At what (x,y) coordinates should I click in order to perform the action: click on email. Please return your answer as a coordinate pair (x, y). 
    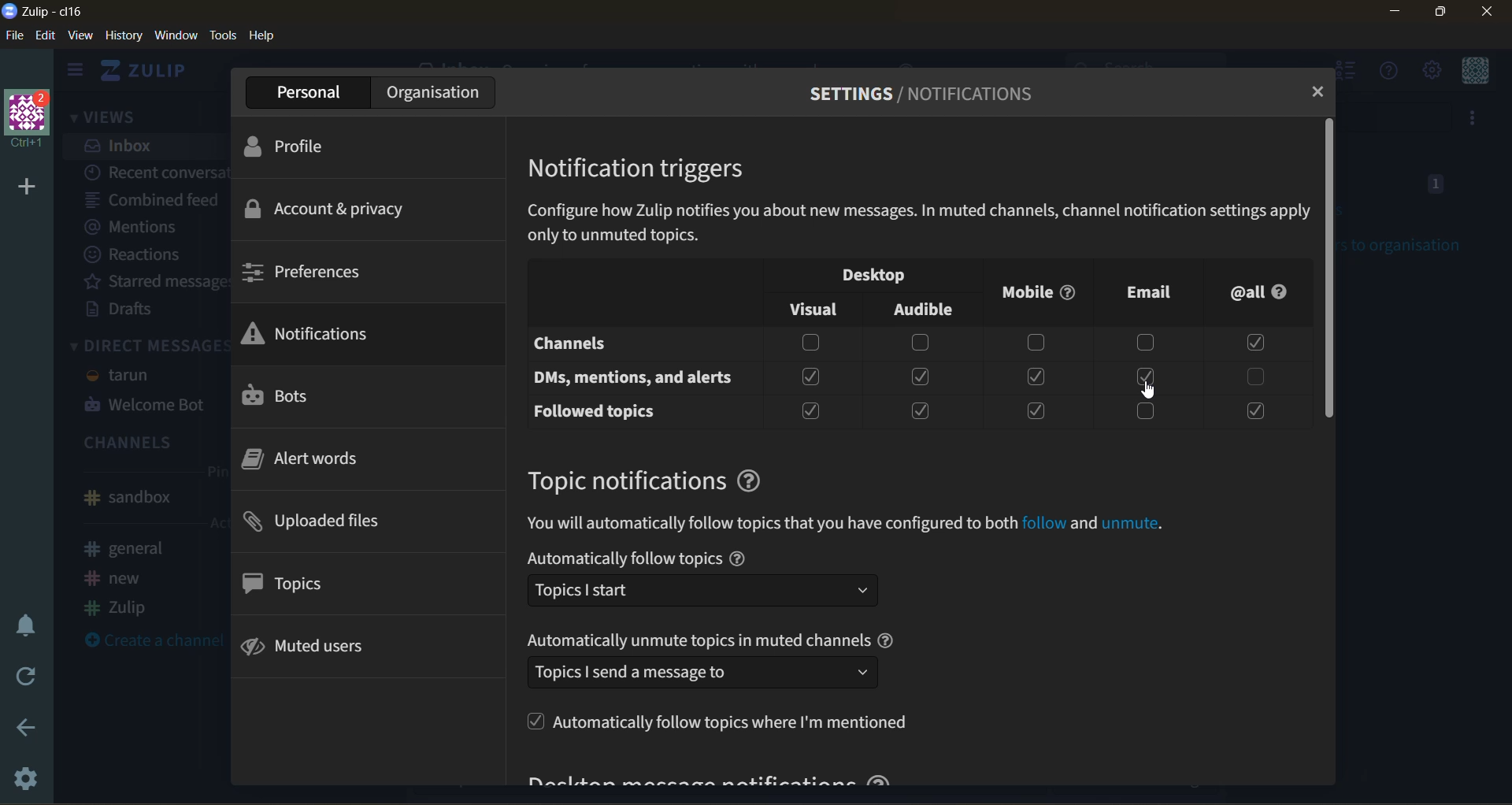
    Looking at the image, I should click on (1143, 291).